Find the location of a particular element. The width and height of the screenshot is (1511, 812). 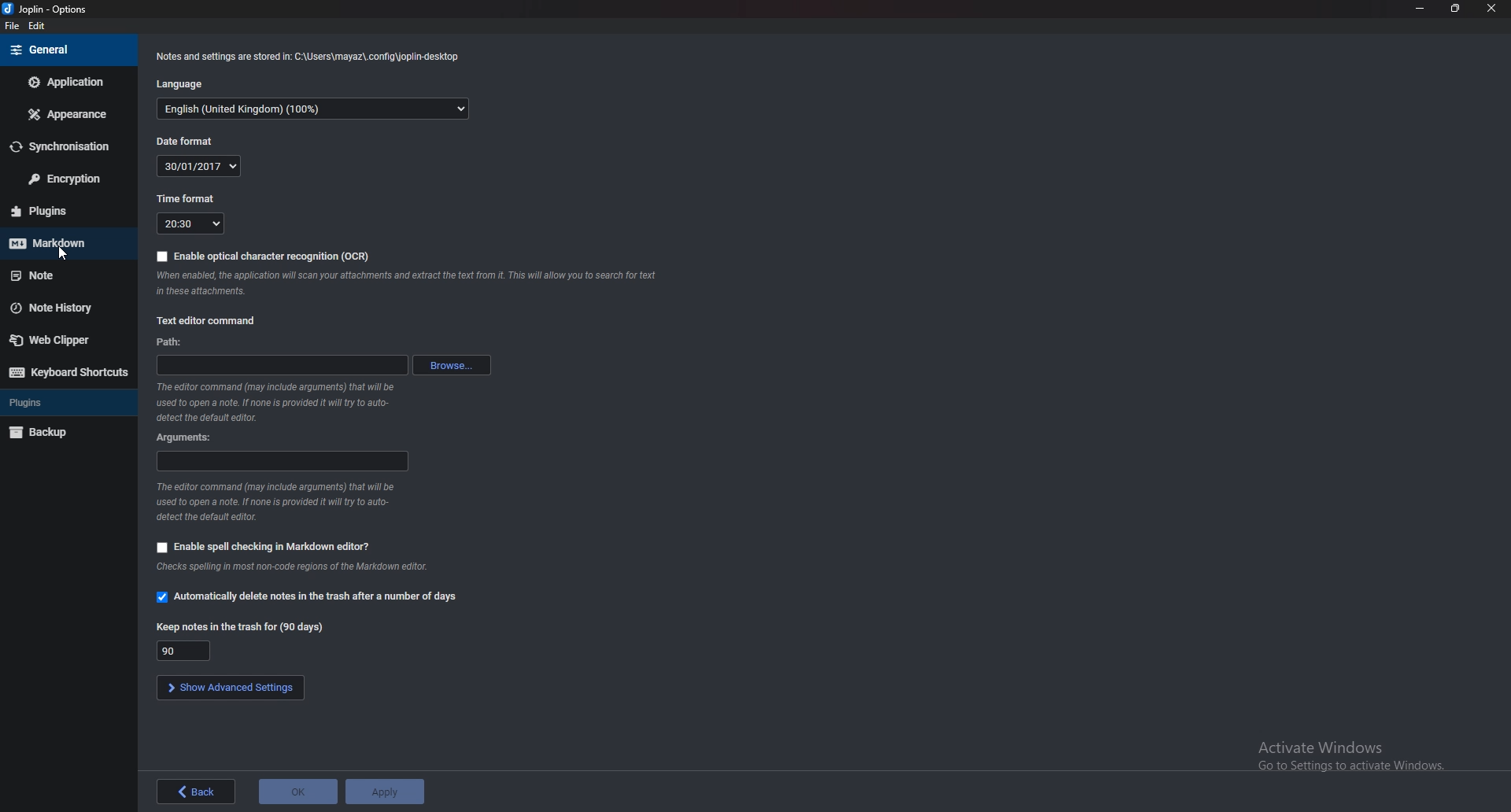

note is located at coordinates (59, 275).